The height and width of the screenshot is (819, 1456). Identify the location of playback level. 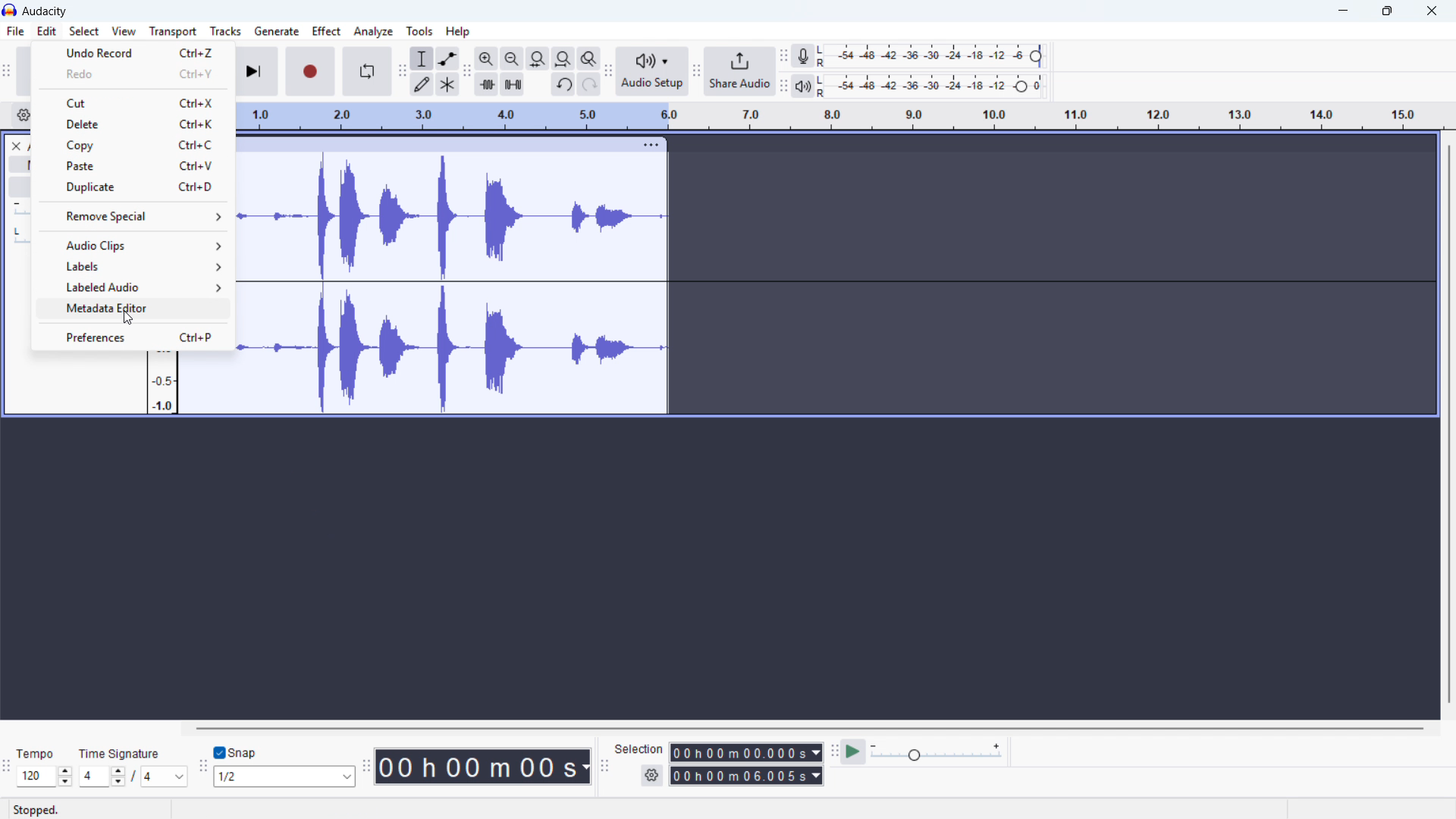
(934, 86).